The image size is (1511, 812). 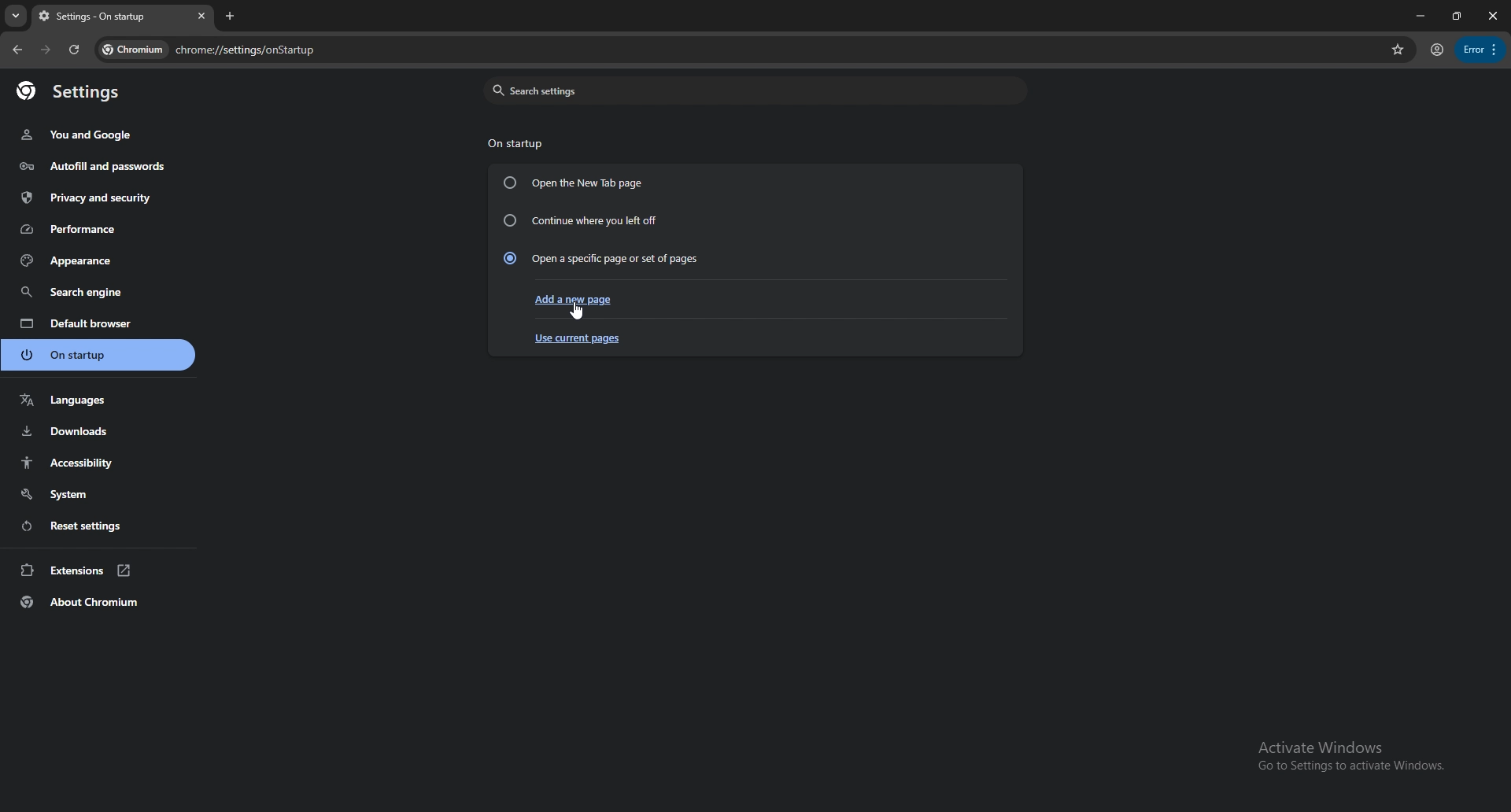 I want to click on search settings, so click(x=753, y=90).